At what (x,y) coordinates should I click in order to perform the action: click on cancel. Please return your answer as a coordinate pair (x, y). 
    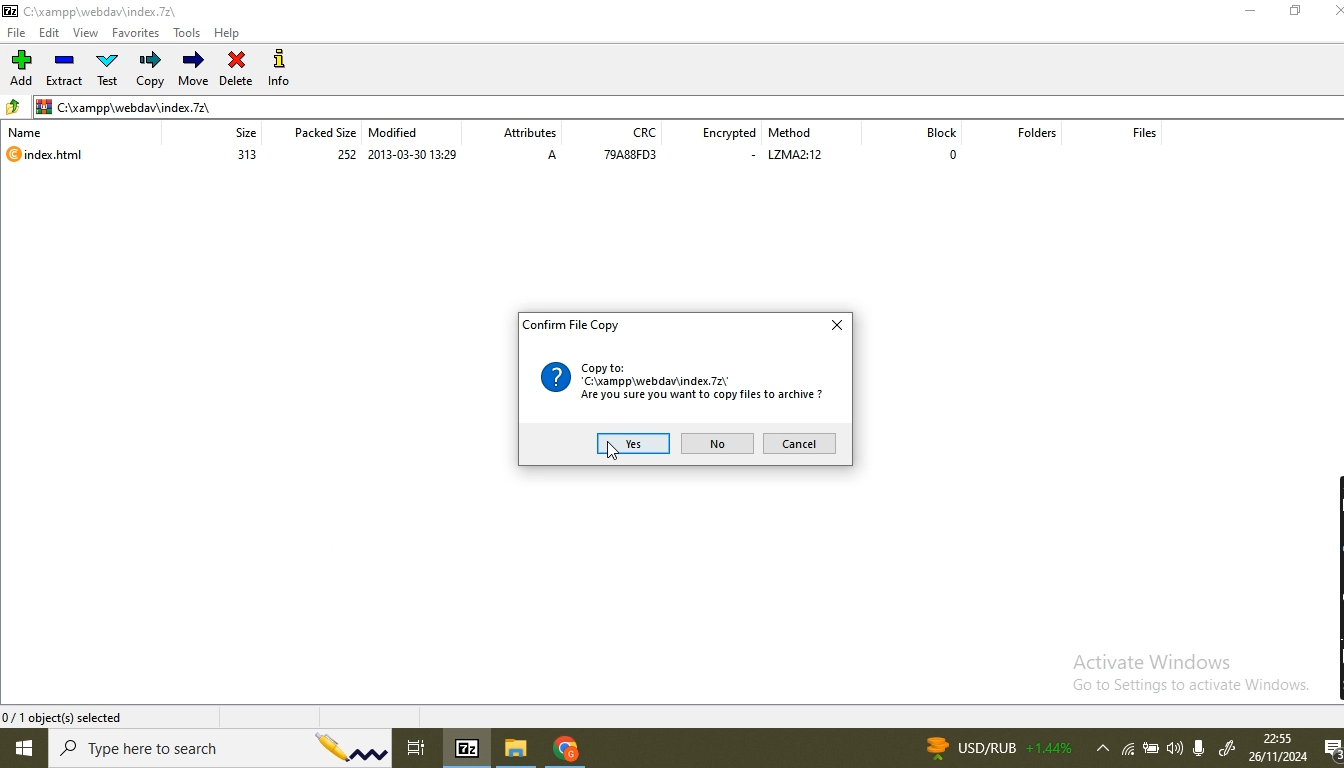
    Looking at the image, I should click on (802, 443).